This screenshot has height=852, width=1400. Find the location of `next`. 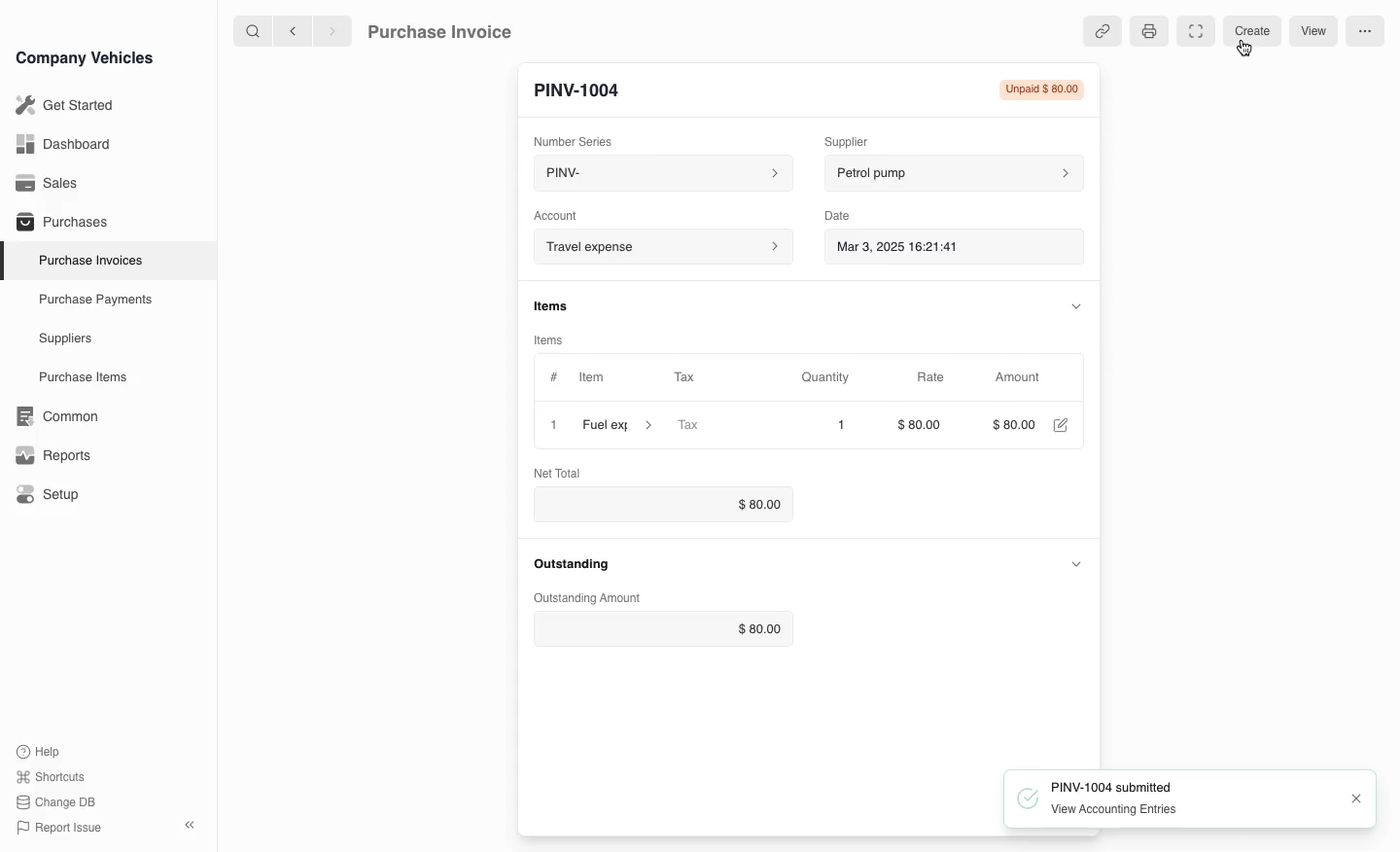

next is located at coordinates (332, 30).